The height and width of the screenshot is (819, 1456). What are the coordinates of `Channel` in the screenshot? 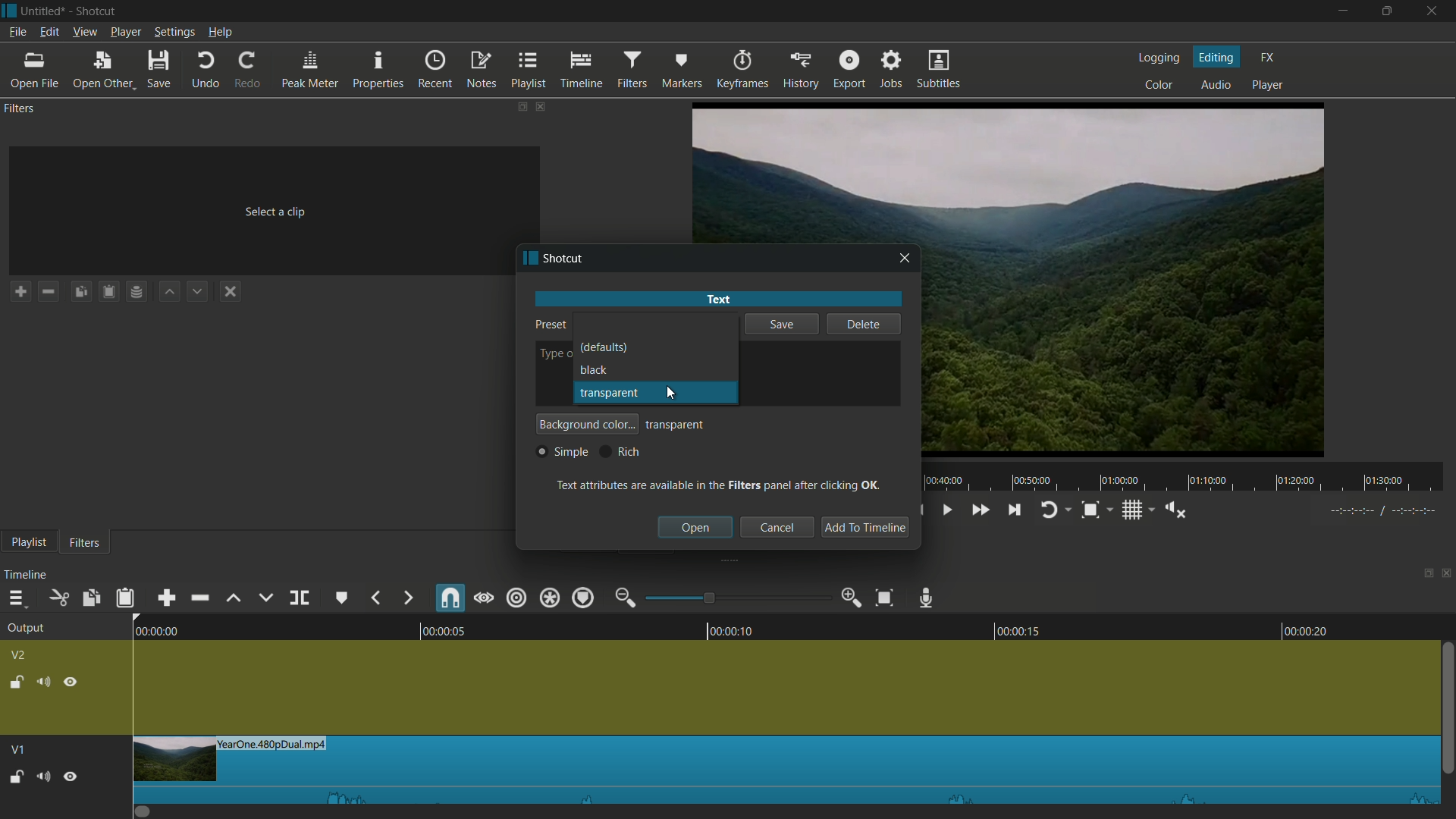 It's located at (137, 293).